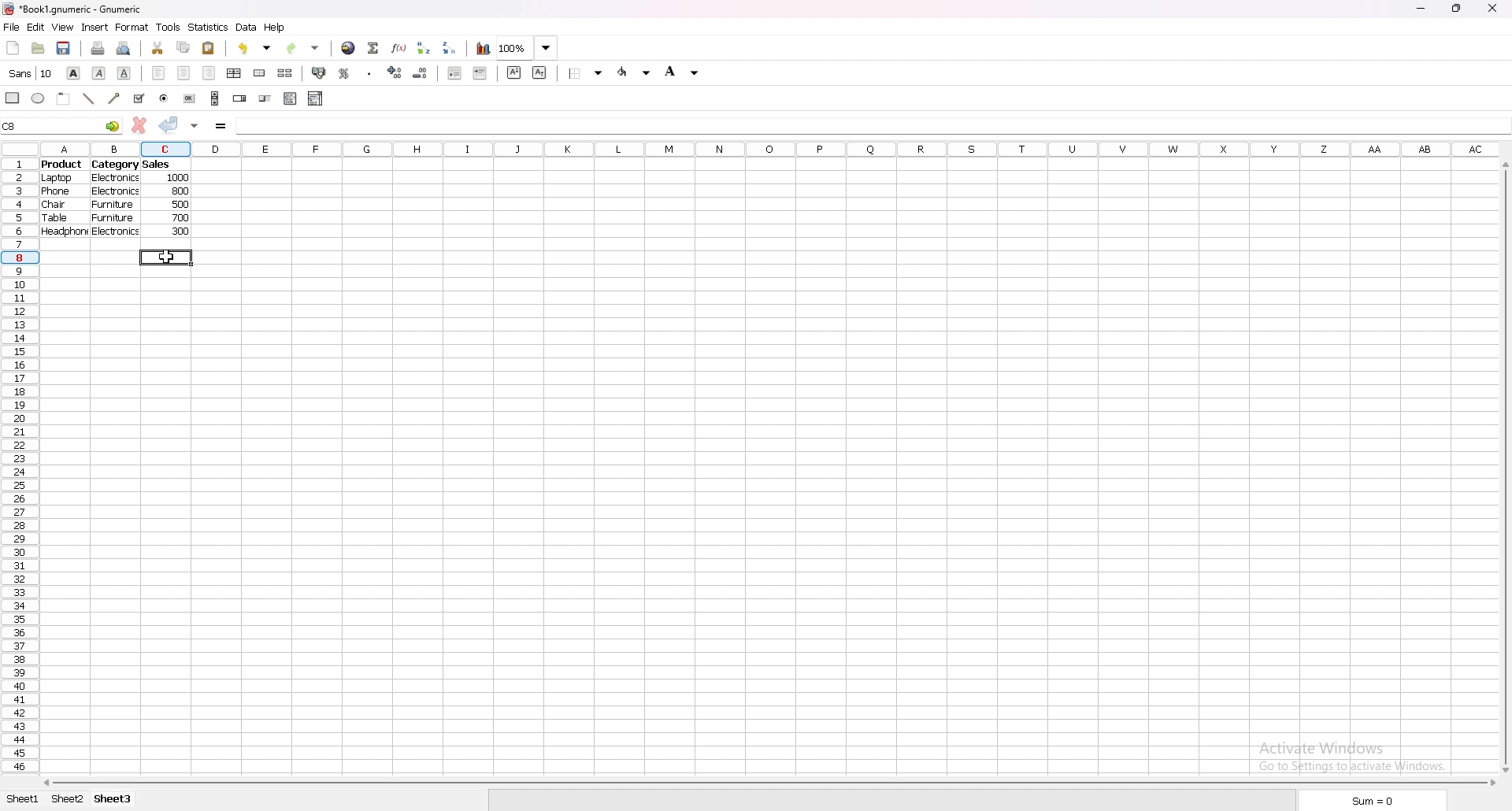 The image size is (1512, 811). What do you see at coordinates (169, 125) in the screenshot?
I see `accept changes` at bounding box center [169, 125].